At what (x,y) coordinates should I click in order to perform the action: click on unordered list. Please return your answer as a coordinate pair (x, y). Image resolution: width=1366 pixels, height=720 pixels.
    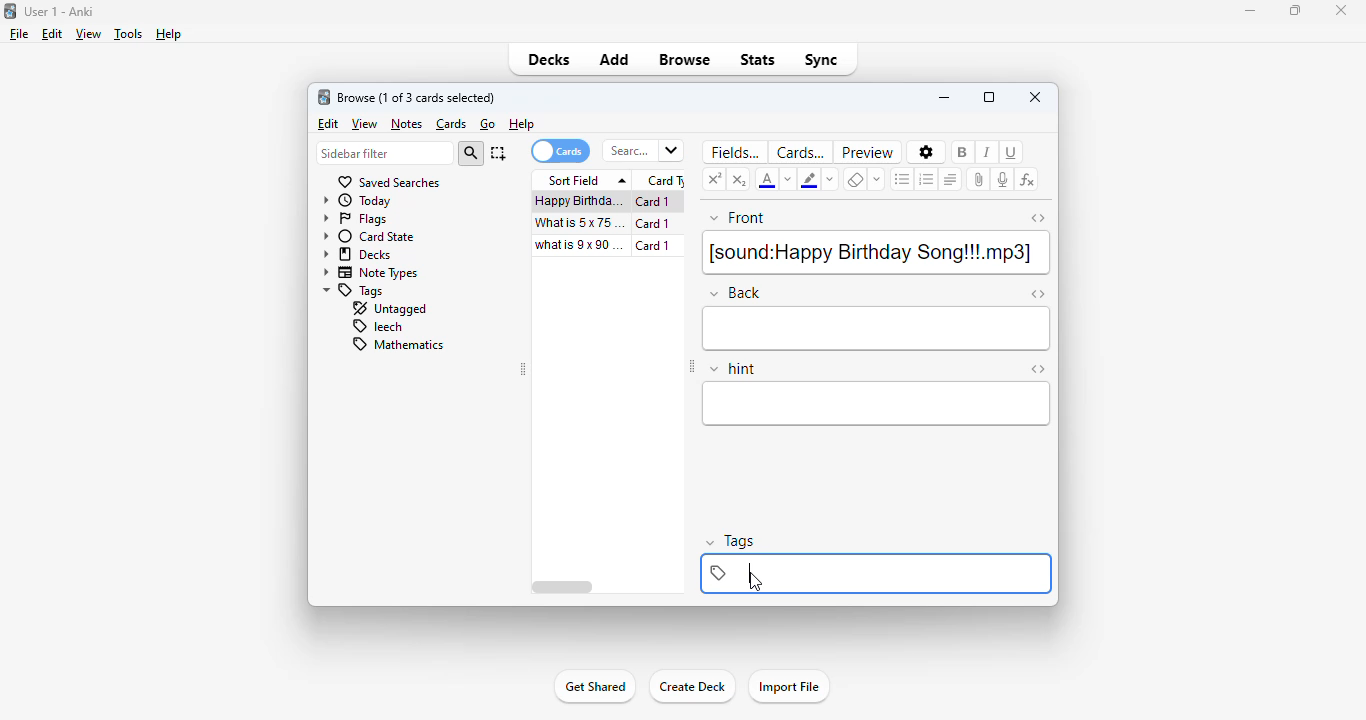
    Looking at the image, I should click on (903, 179).